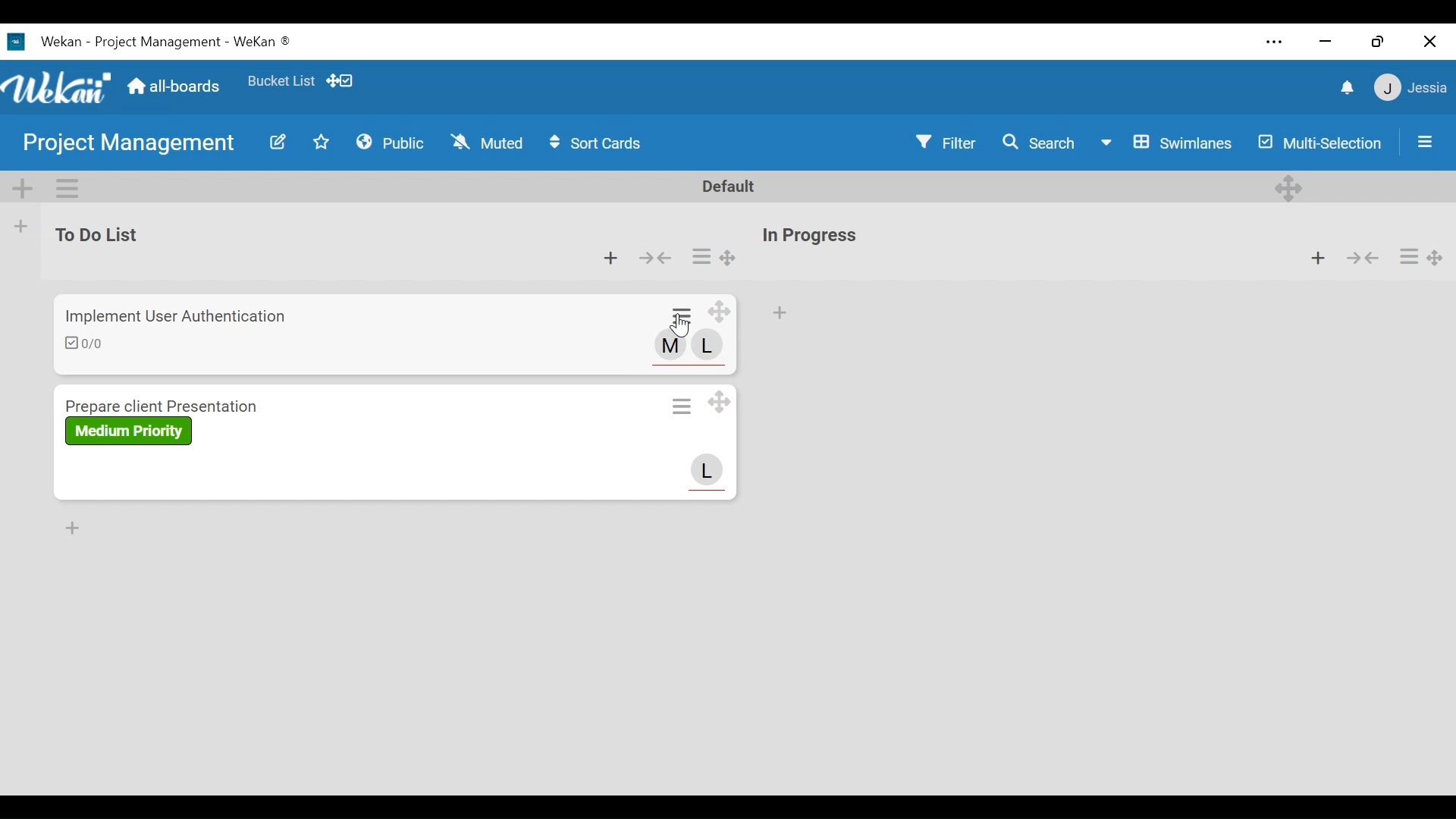 The height and width of the screenshot is (819, 1456). What do you see at coordinates (700, 257) in the screenshot?
I see `Card actions` at bounding box center [700, 257].